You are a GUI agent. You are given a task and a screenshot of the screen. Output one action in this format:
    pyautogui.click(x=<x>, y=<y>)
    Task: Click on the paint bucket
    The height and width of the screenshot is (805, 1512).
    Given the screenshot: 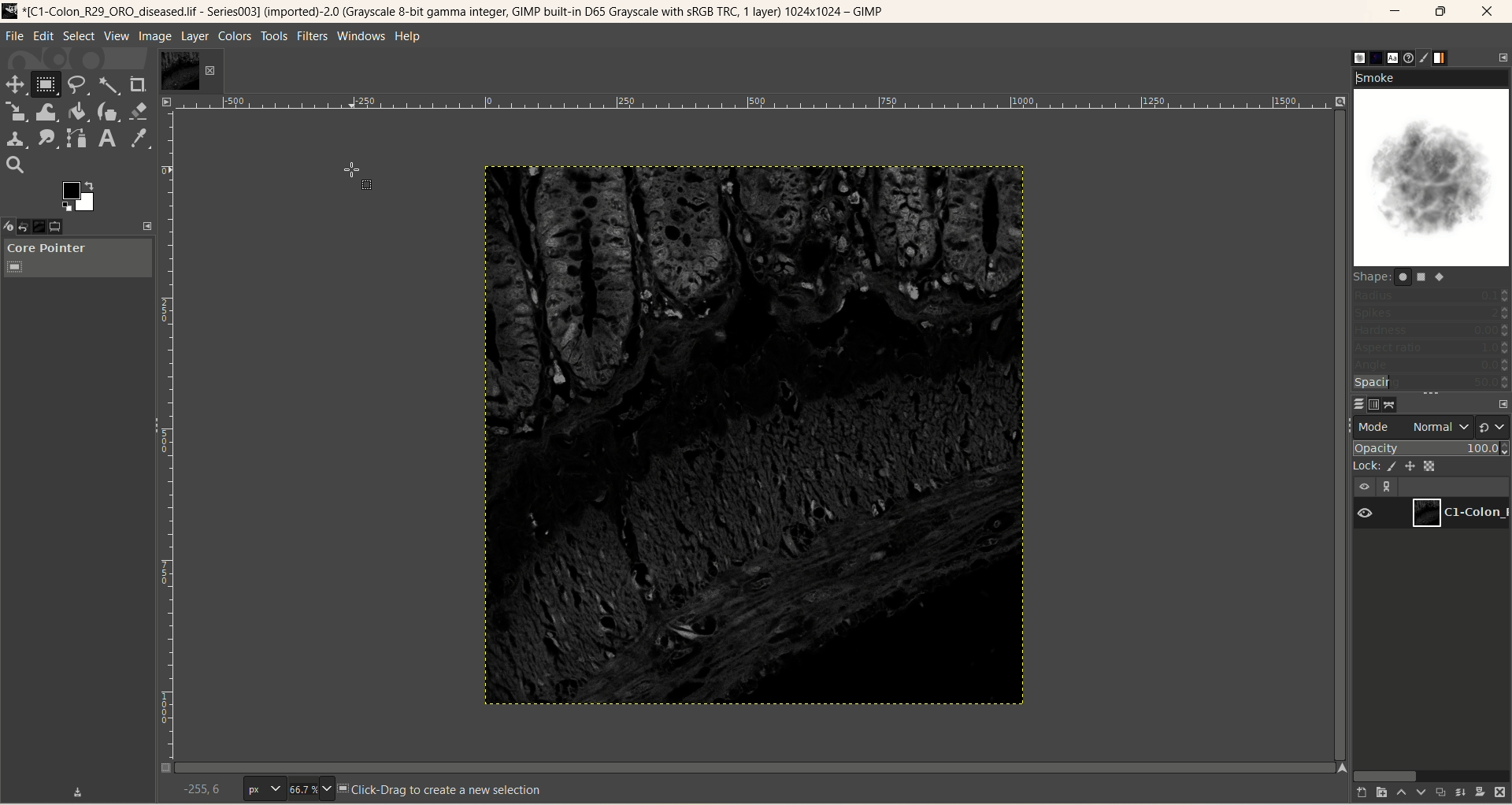 What is the action you would take?
    pyautogui.click(x=77, y=112)
    